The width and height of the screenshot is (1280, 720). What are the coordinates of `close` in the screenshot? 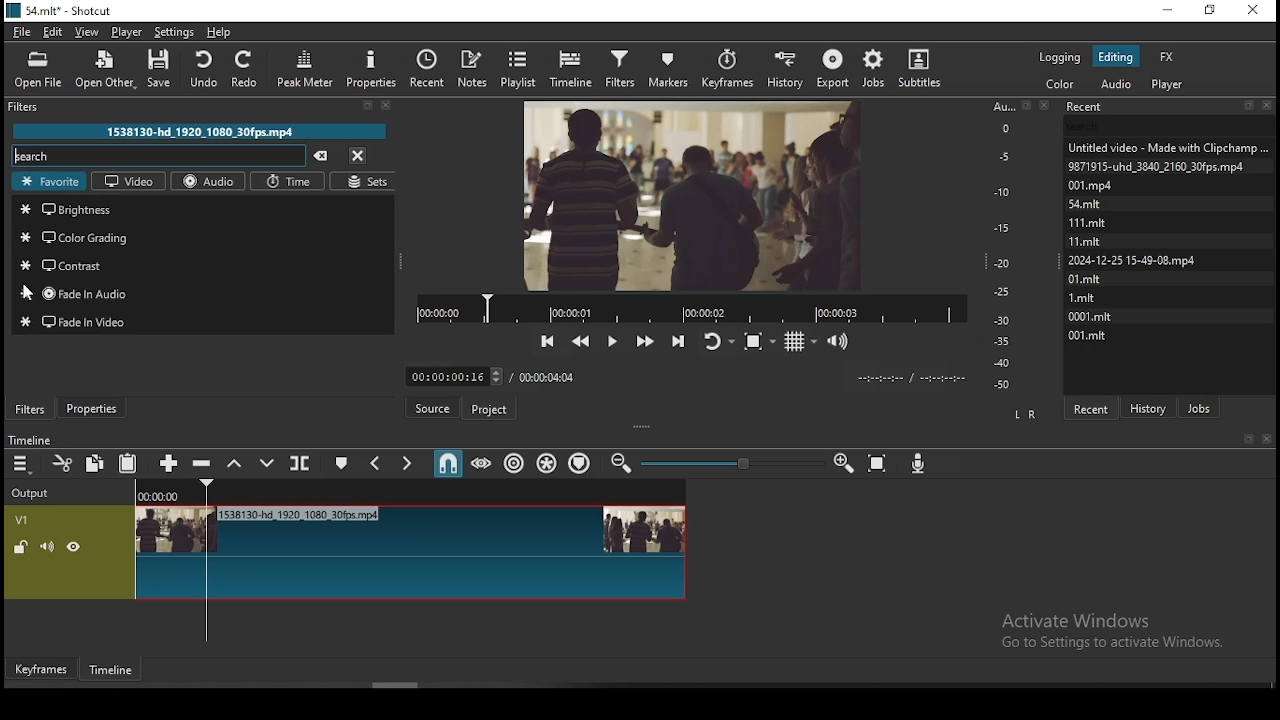 It's located at (1270, 440).